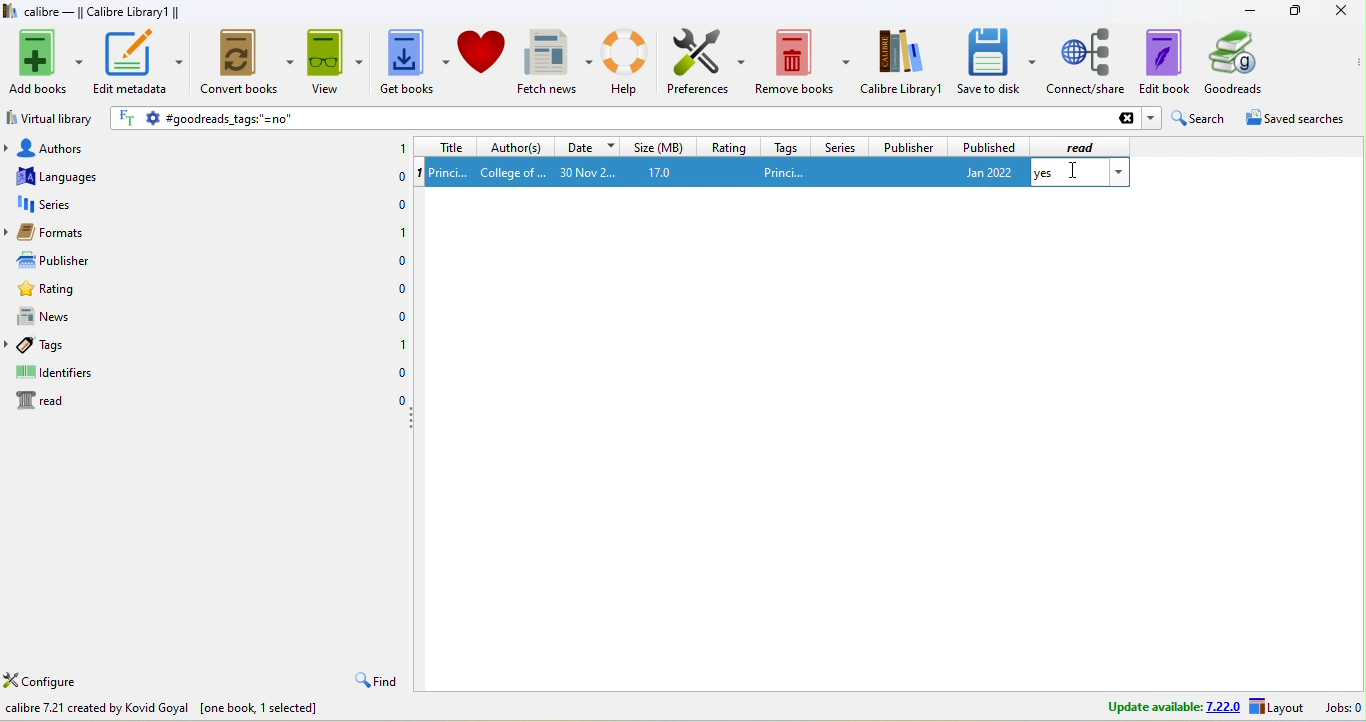 Image resolution: width=1366 pixels, height=722 pixels. I want to click on princi, so click(785, 173).